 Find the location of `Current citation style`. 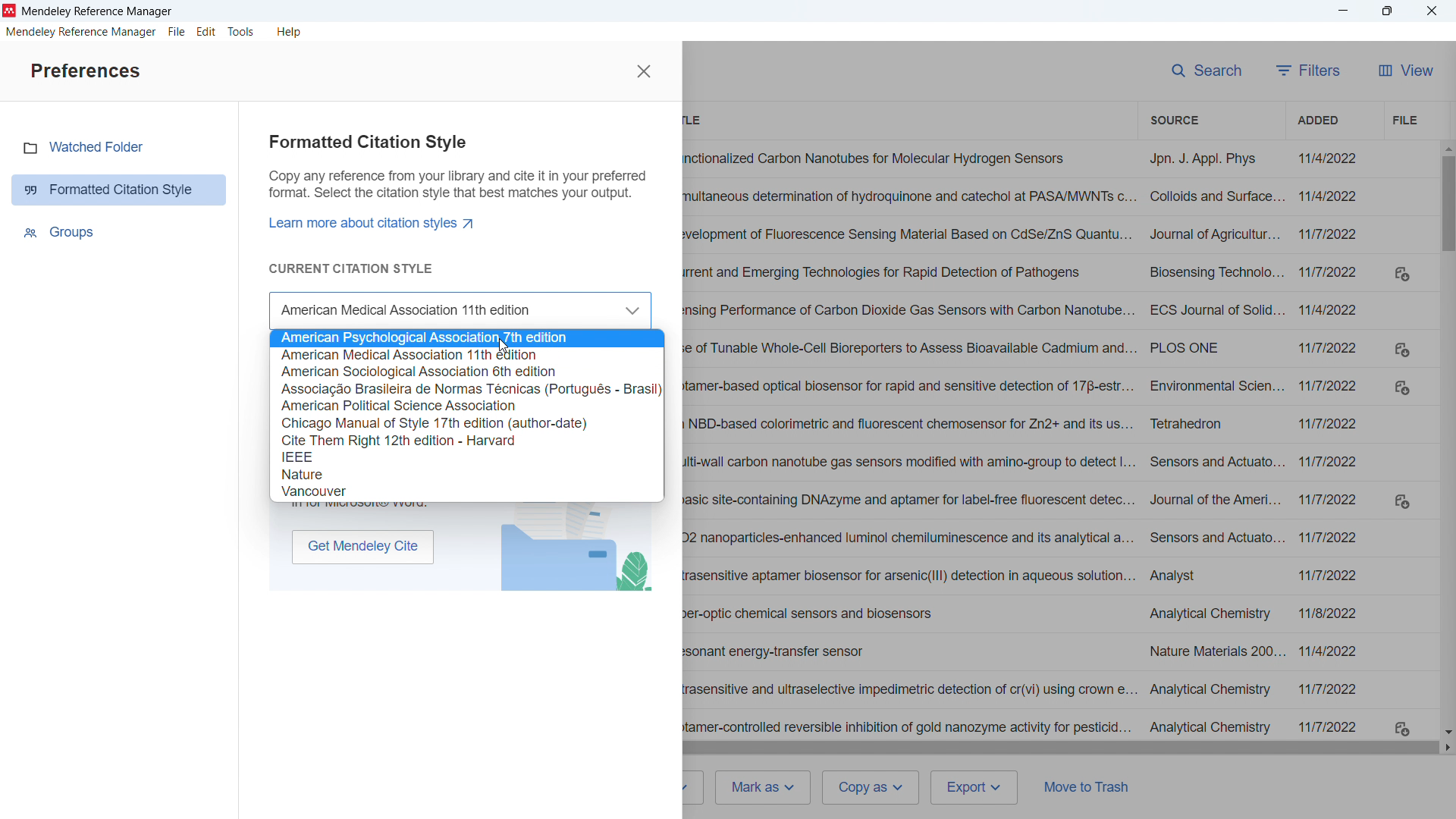

Current citation style is located at coordinates (350, 268).